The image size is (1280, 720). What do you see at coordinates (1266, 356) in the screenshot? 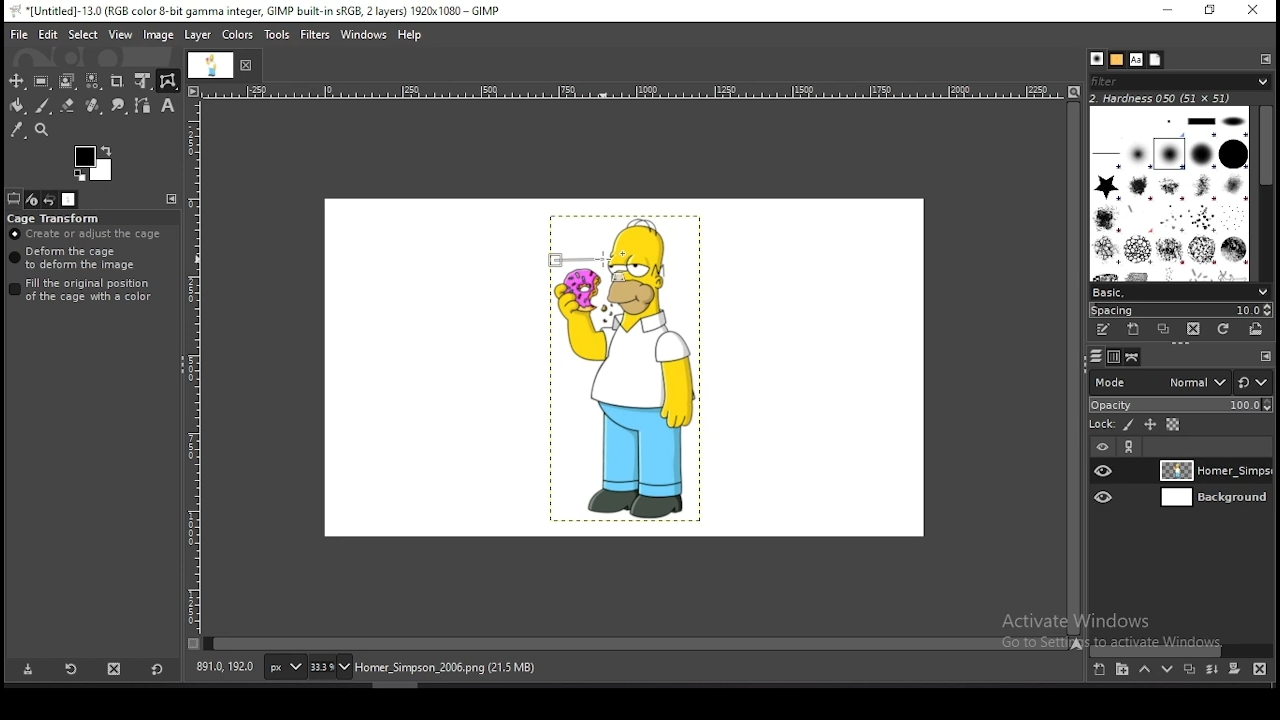
I see `configure this tab` at bounding box center [1266, 356].